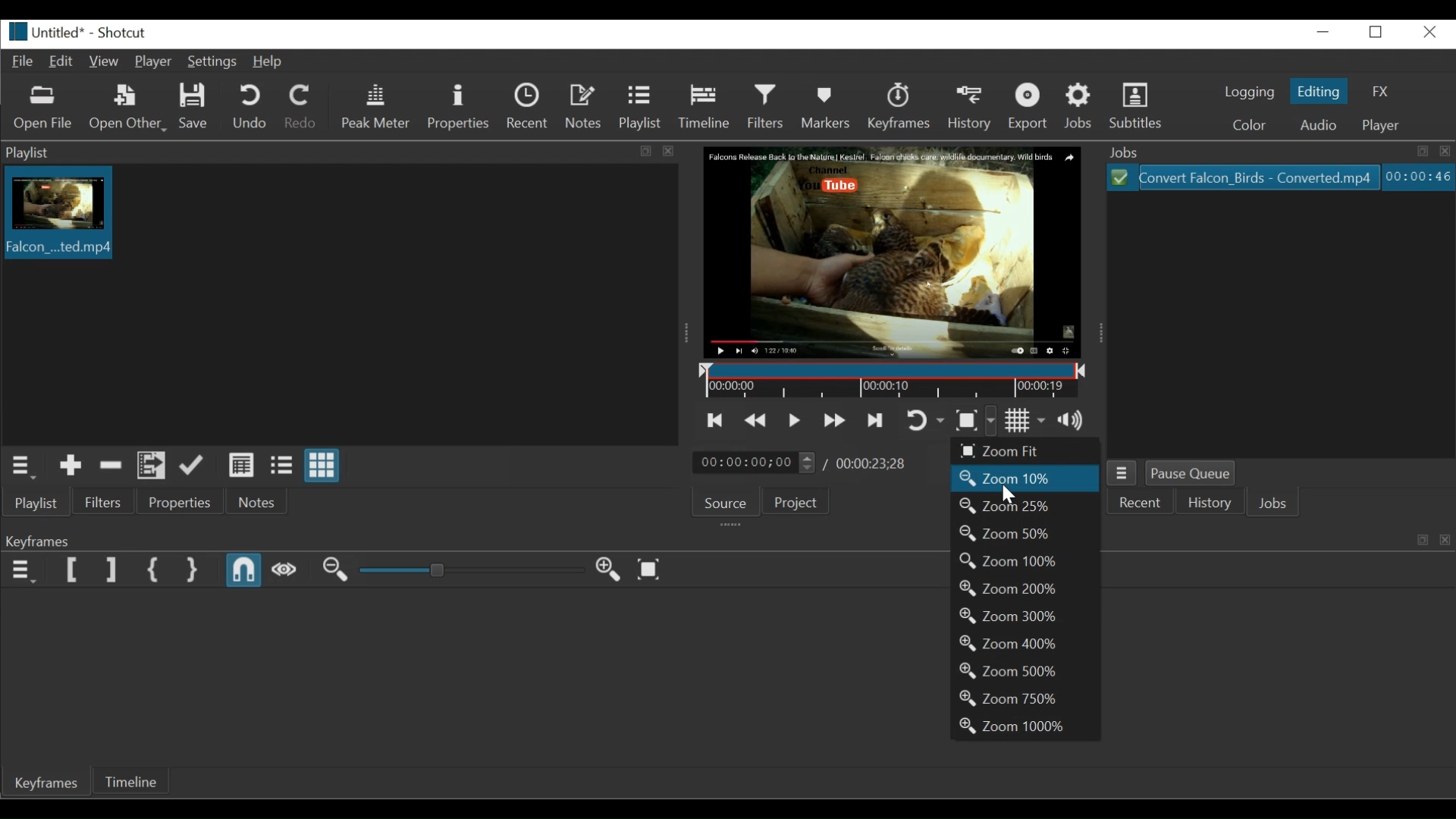 The height and width of the screenshot is (819, 1456). I want to click on History, so click(971, 108).